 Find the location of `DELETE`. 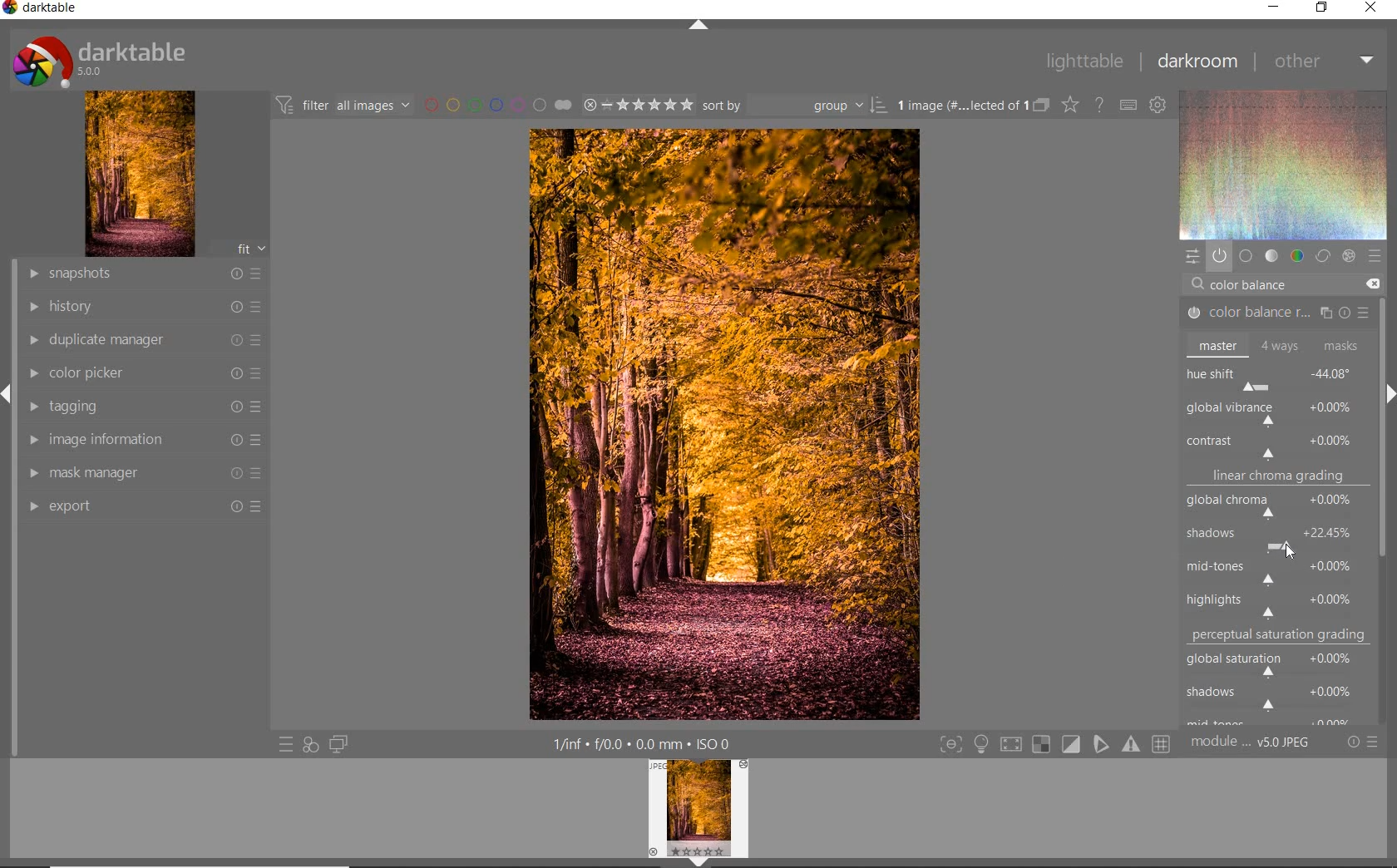

DELETE is located at coordinates (1372, 284).